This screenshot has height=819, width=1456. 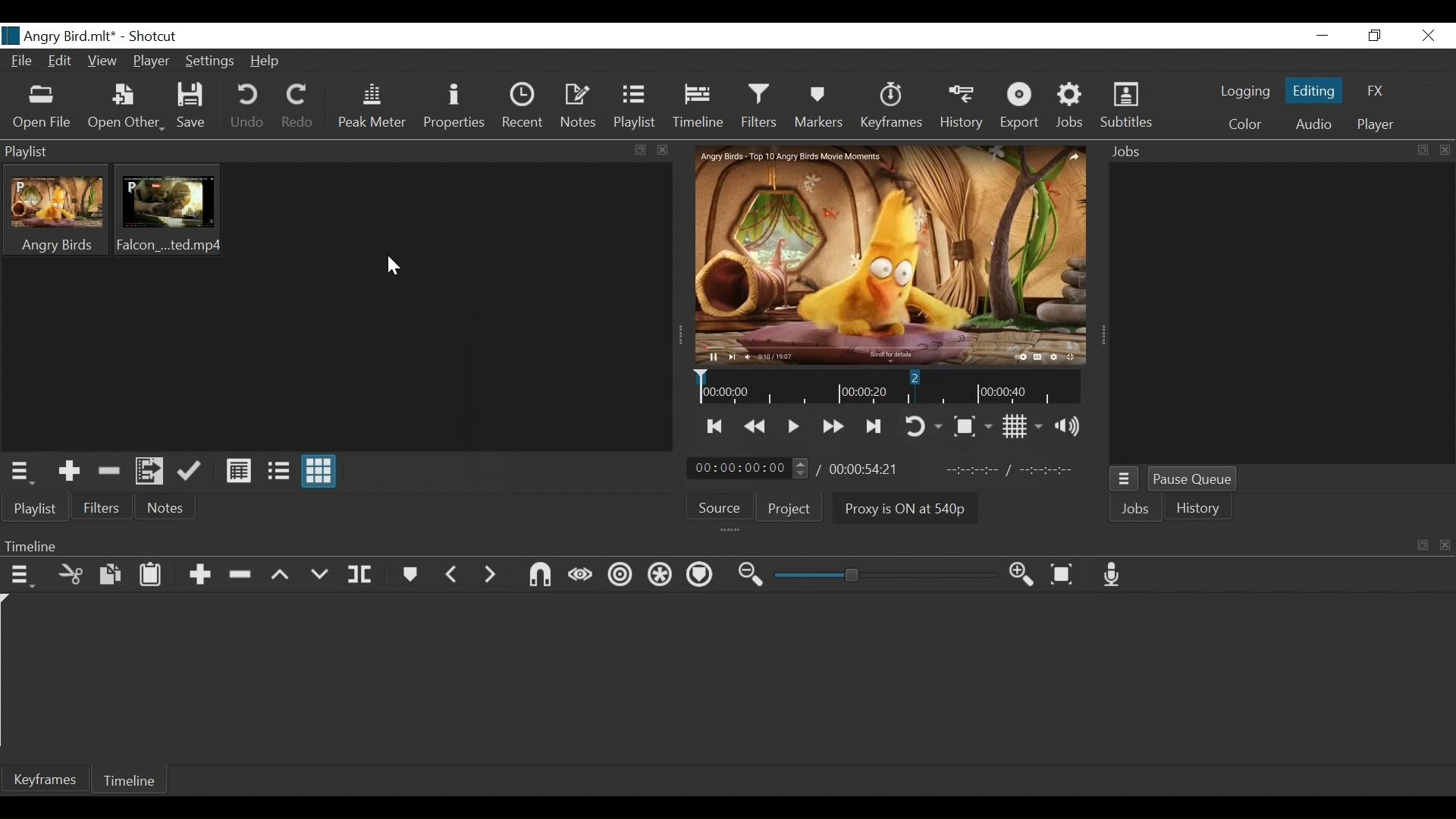 I want to click on Clip, so click(x=168, y=211).